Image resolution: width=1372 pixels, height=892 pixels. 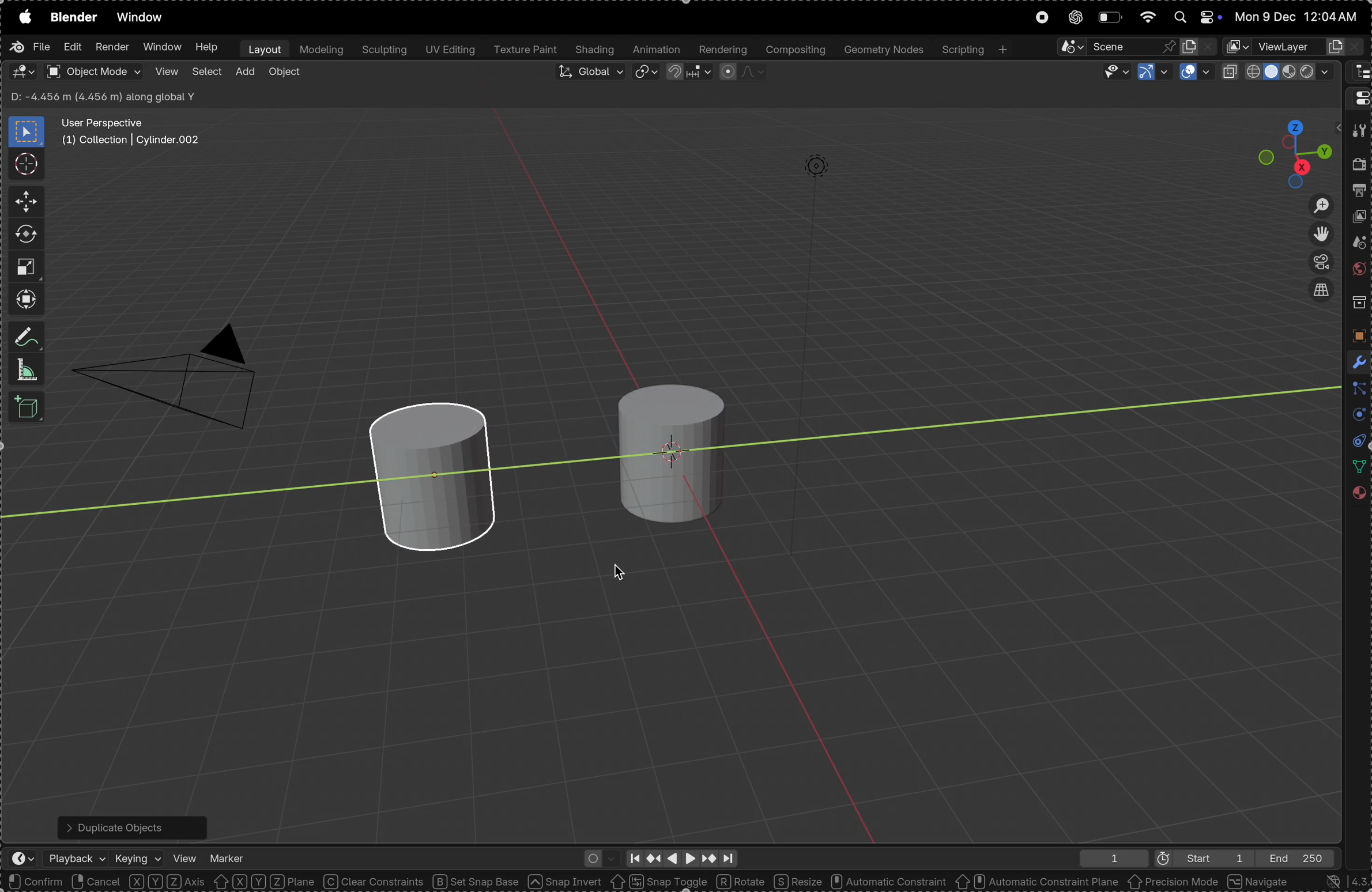 What do you see at coordinates (25, 266) in the screenshot?
I see `scale` at bounding box center [25, 266].